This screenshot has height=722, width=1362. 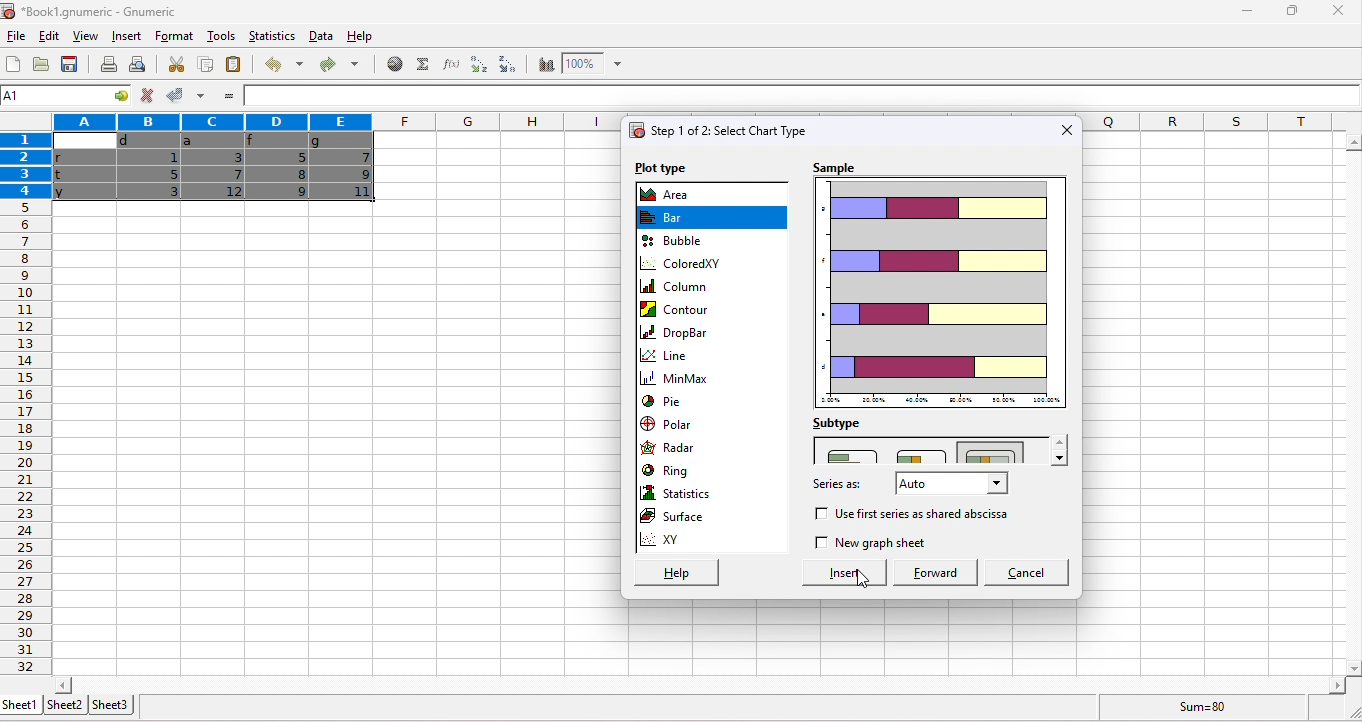 I want to click on columns, so click(x=338, y=122).